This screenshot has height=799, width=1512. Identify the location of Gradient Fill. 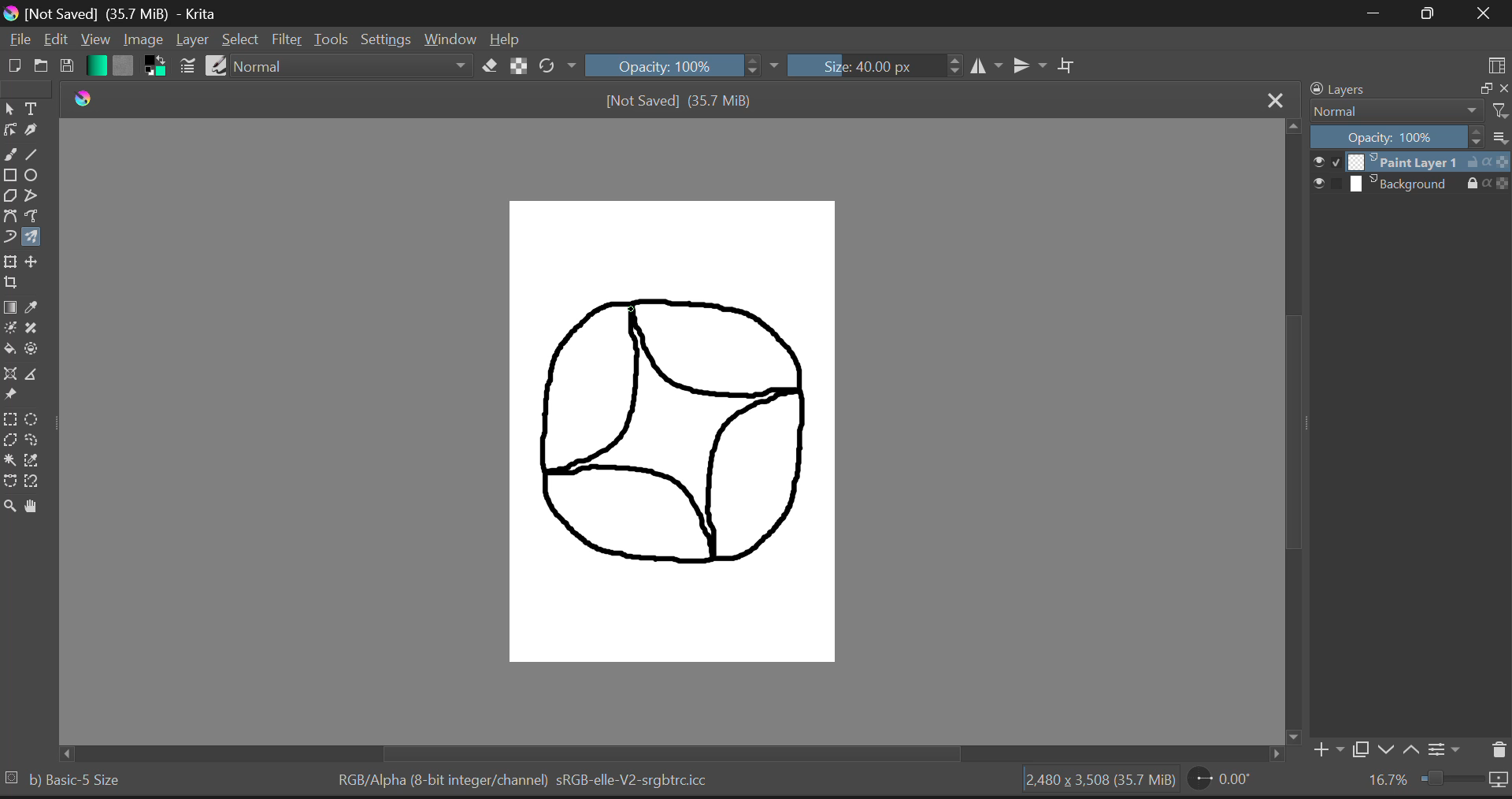
(11, 307).